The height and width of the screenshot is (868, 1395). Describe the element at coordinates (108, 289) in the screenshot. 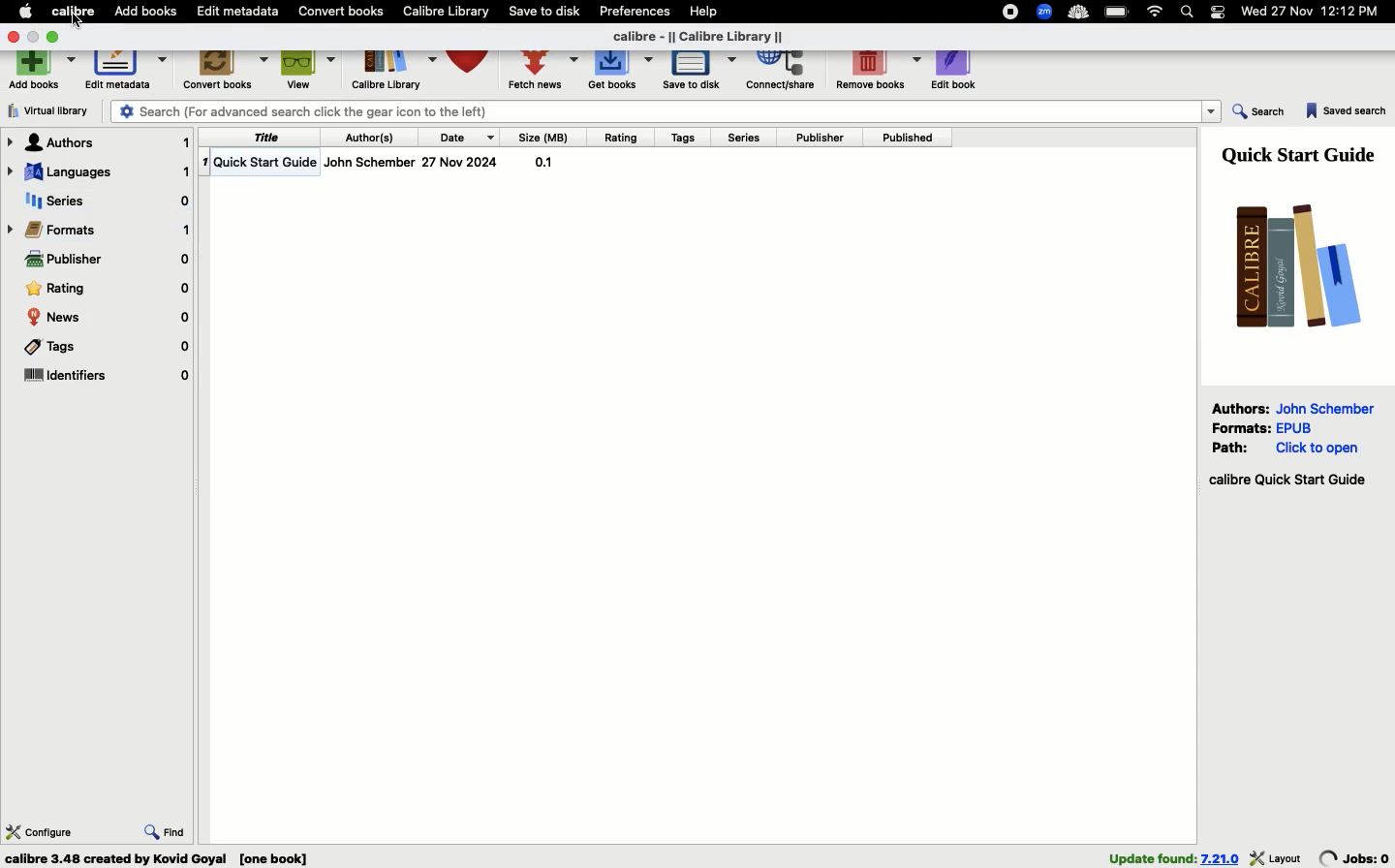

I see `Rating` at that location.